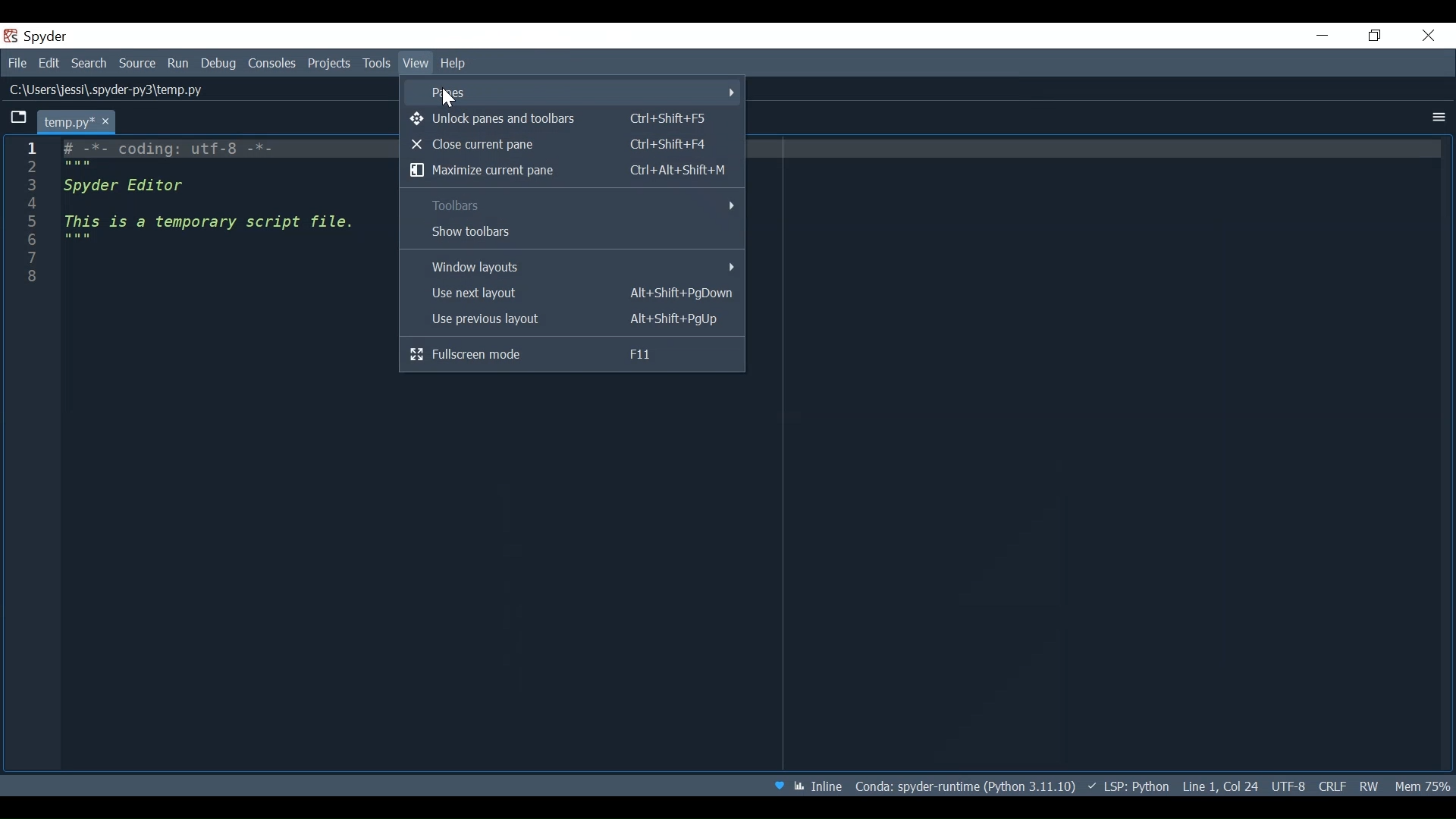 This screenshot has height=819, width=1456. Describe the element at coordinates (570, 233) in the screenshot. I see `Show Toolbars` at that location.